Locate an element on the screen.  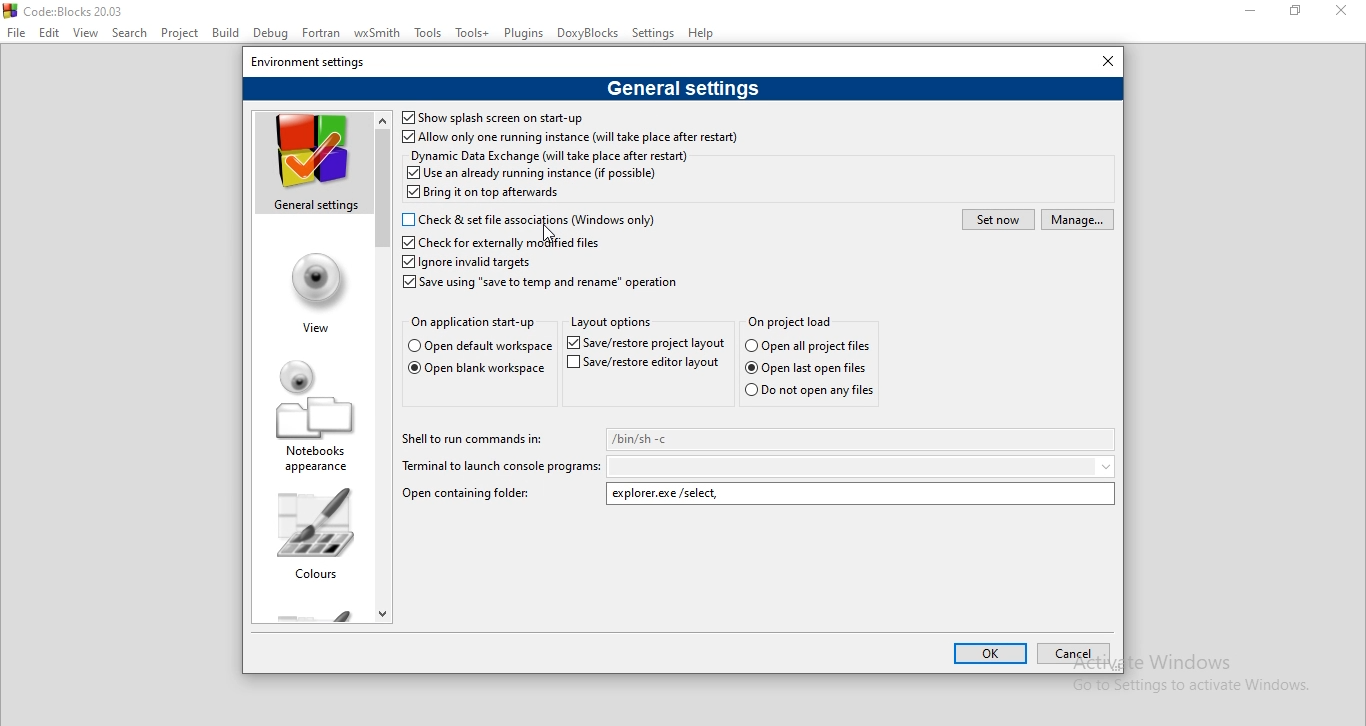
environment is located at coordinates (315, 61).